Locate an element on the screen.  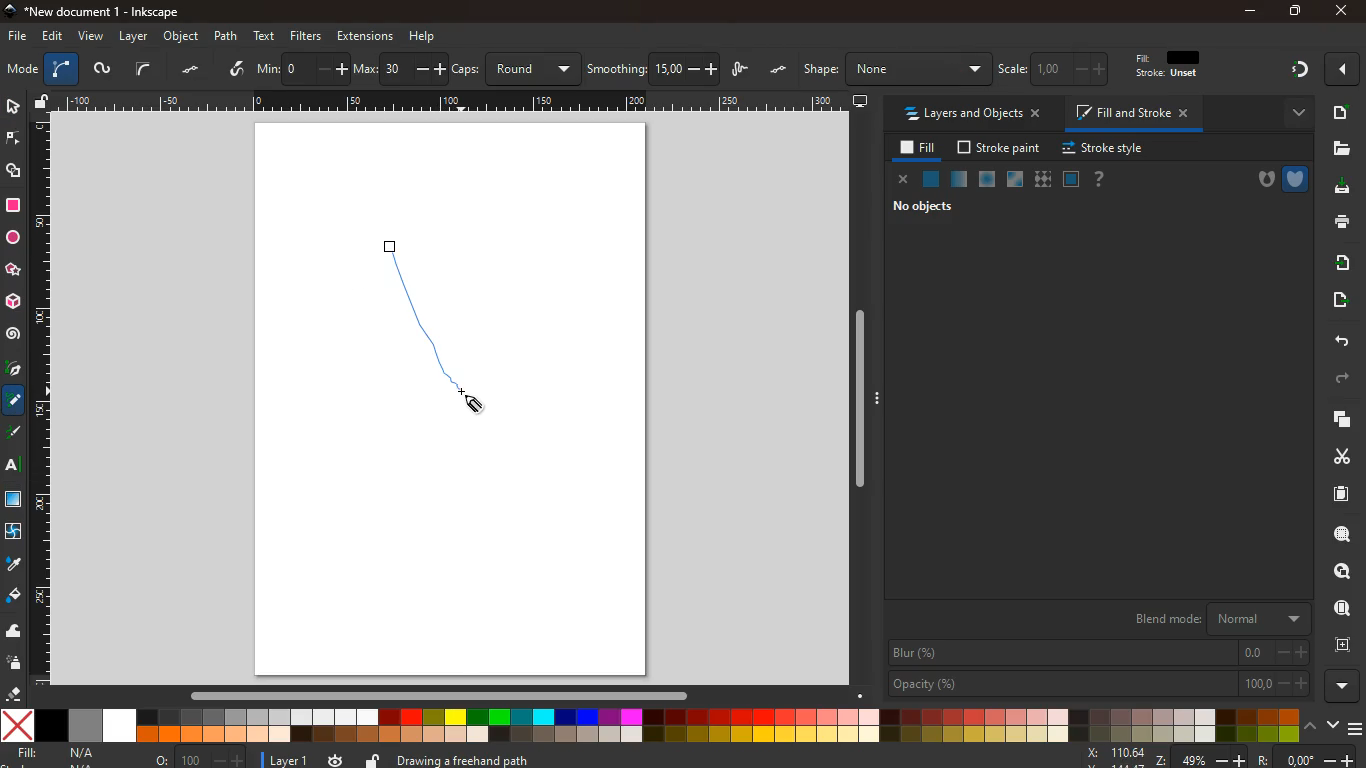
blur is located at coordinates (1100, 653).